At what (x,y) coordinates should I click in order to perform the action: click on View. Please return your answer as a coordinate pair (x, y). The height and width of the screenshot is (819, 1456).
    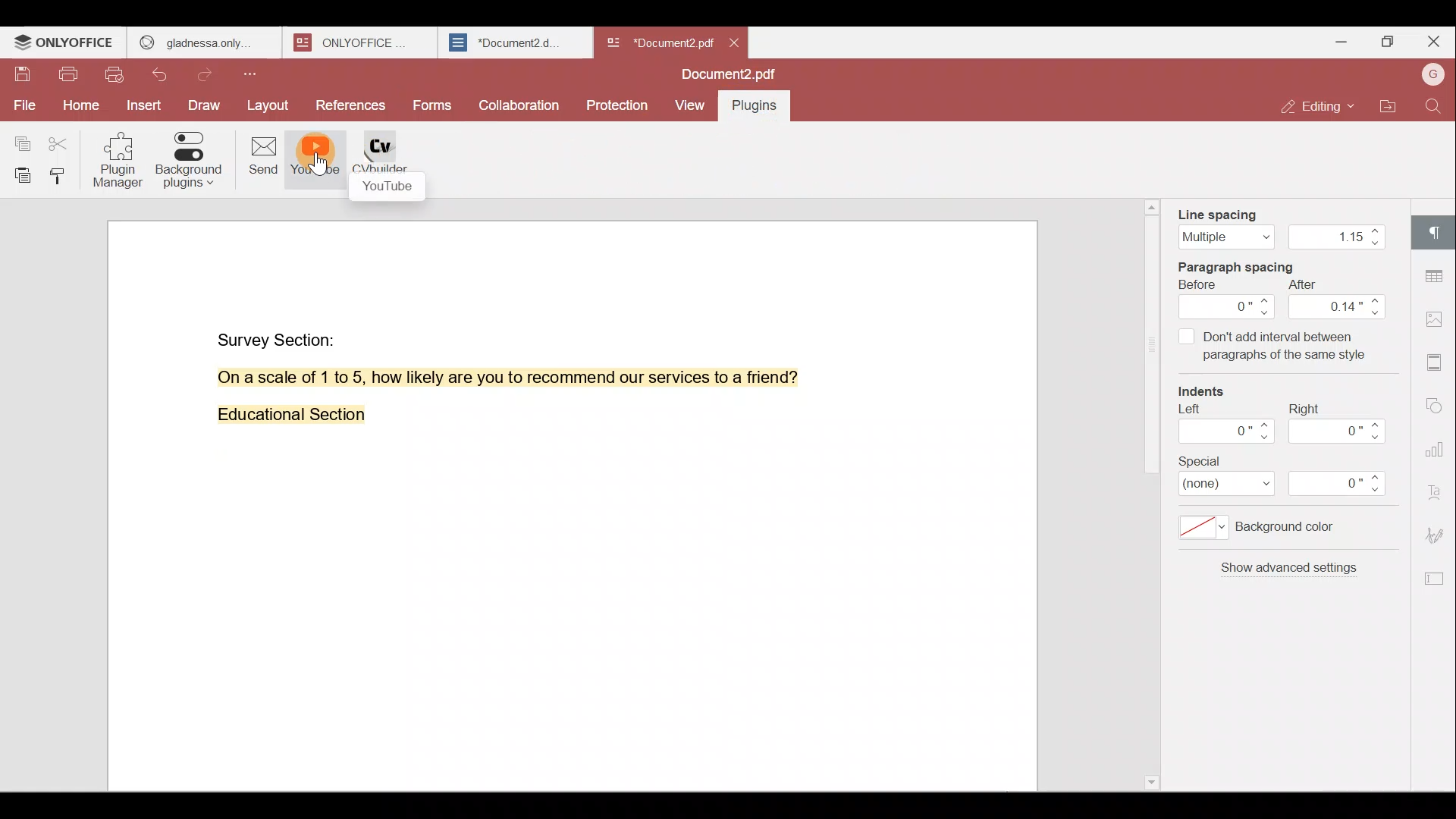
    Looking at the image, I should click on (690, 106).